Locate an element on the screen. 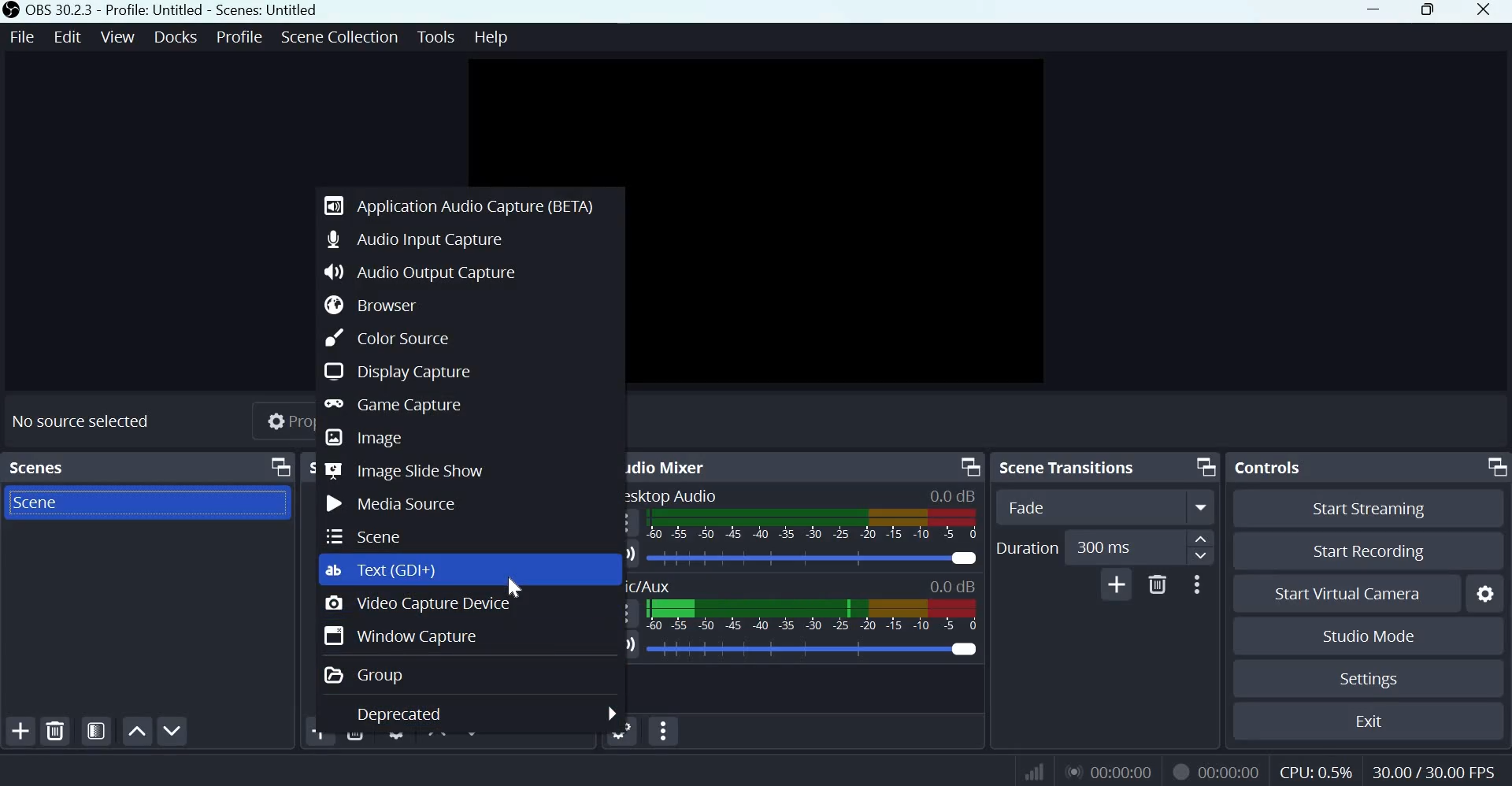  Volume Meter is located at coordinates (811, 525).